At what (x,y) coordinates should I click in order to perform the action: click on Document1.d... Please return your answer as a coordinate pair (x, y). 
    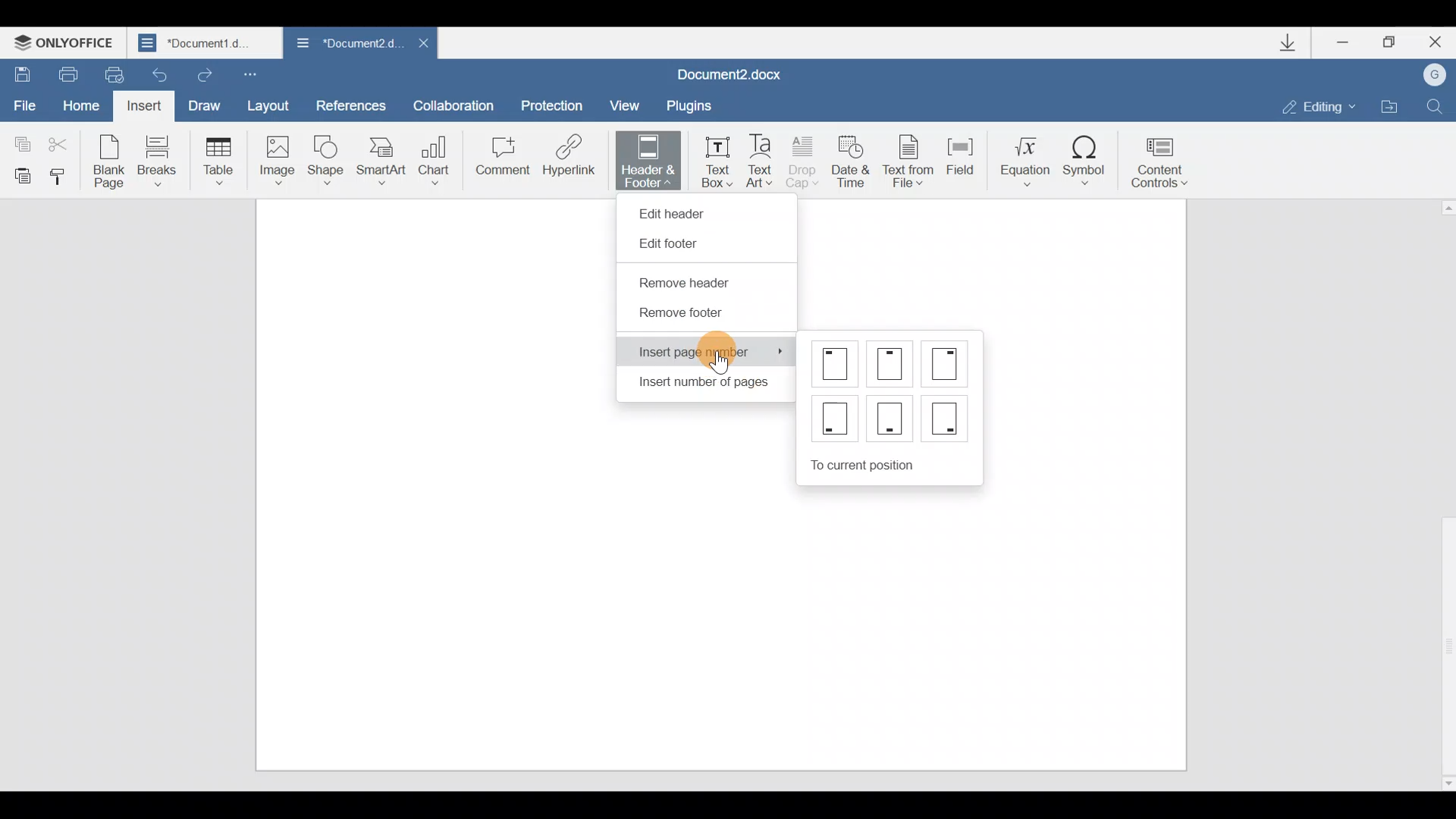
    Looking at the image, I should click on (206, 43).